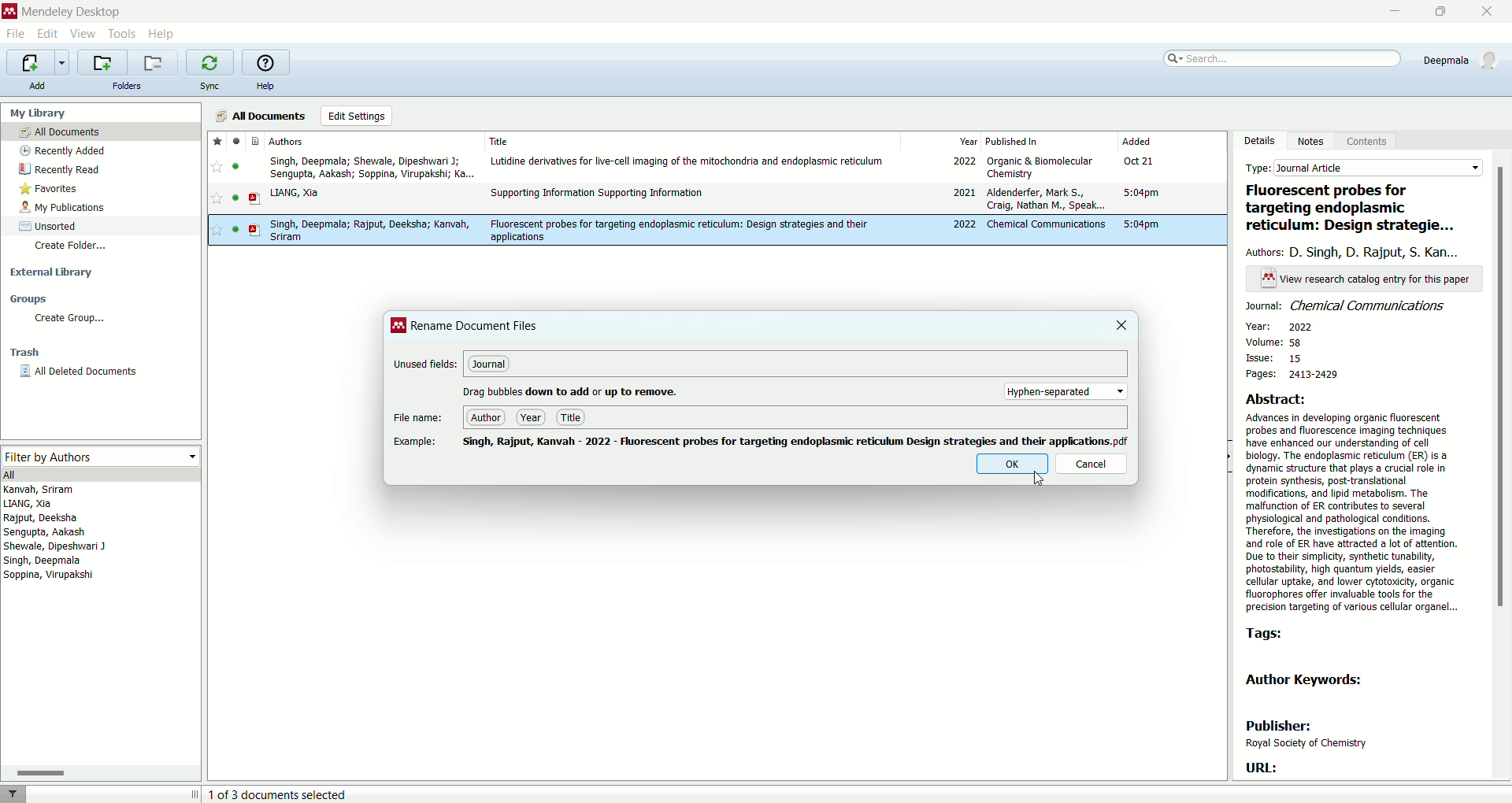  Describe the element at coordinates (101, 474) in the screenshot. I see `all` at that location.